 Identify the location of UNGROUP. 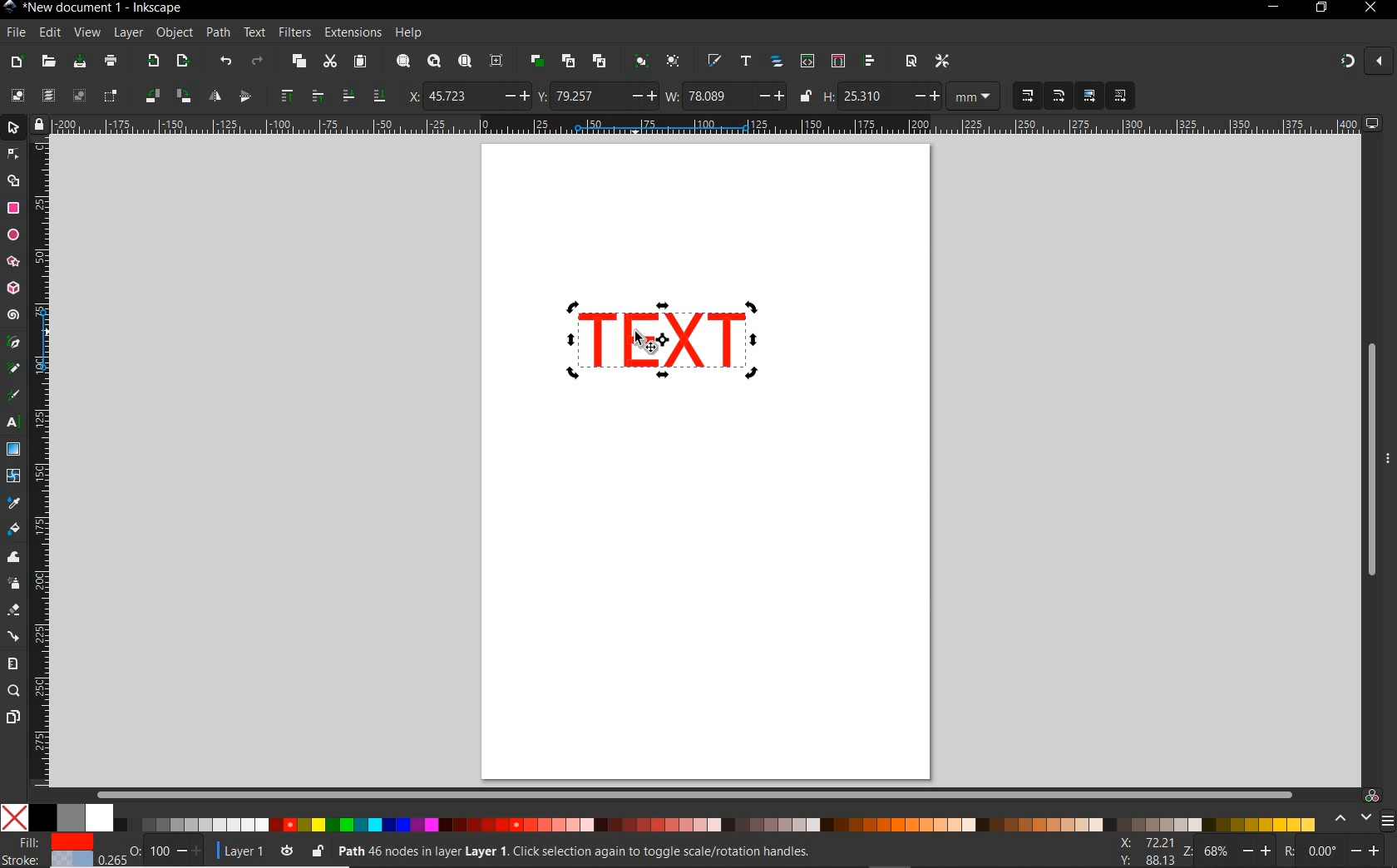
(674, 62).